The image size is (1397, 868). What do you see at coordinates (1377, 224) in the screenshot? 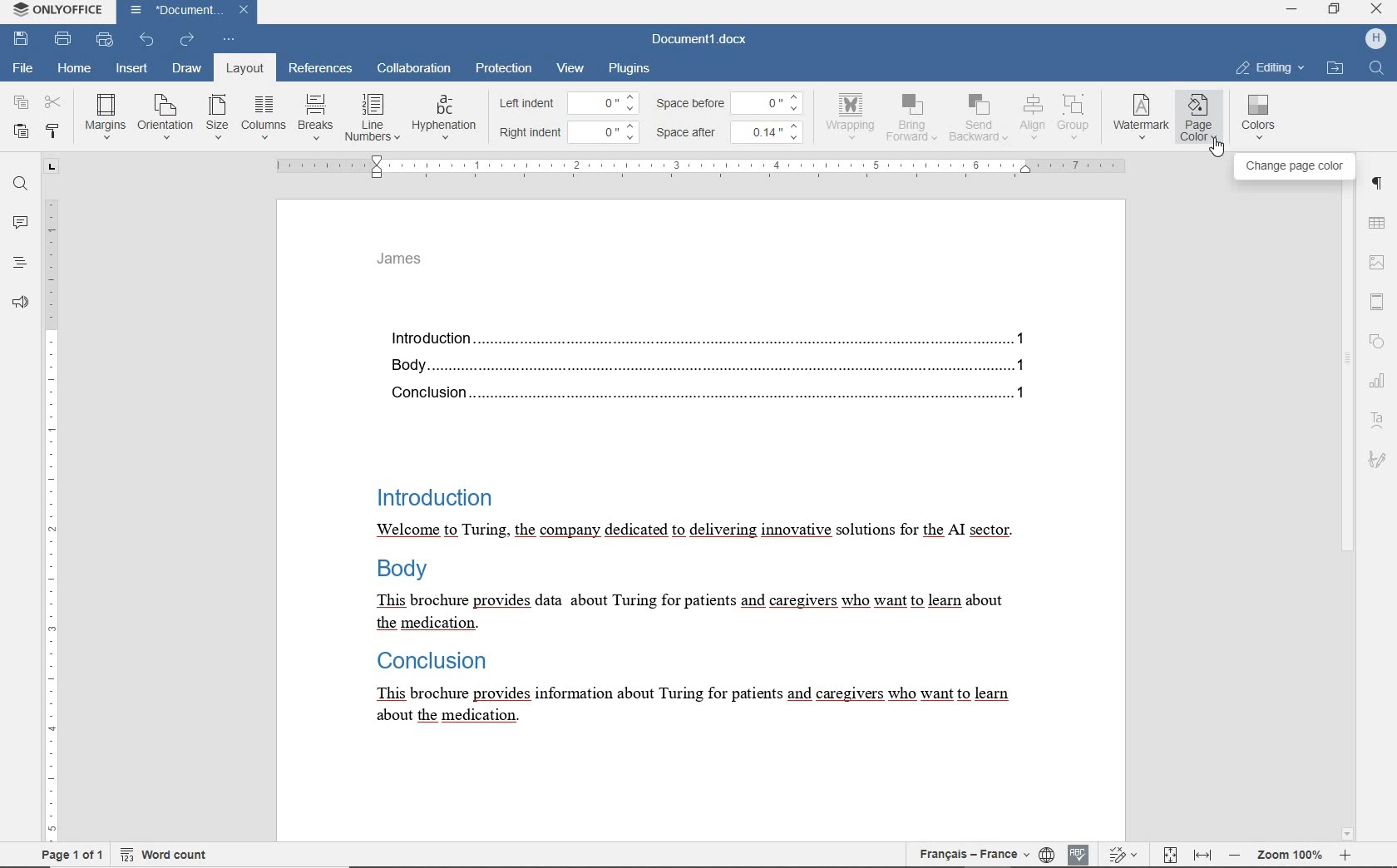
I see `table` at bounding box center [1377, 224].